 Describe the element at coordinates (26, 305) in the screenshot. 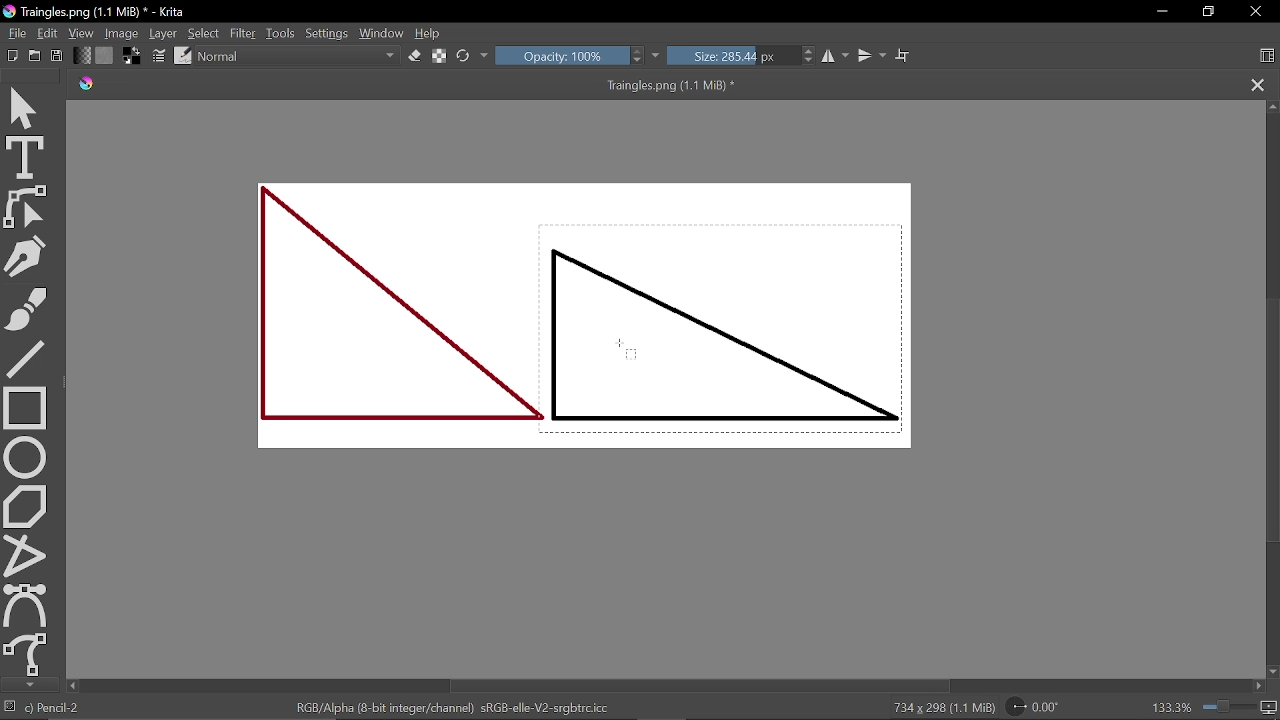

I see `Freehand brush tool` at that location.